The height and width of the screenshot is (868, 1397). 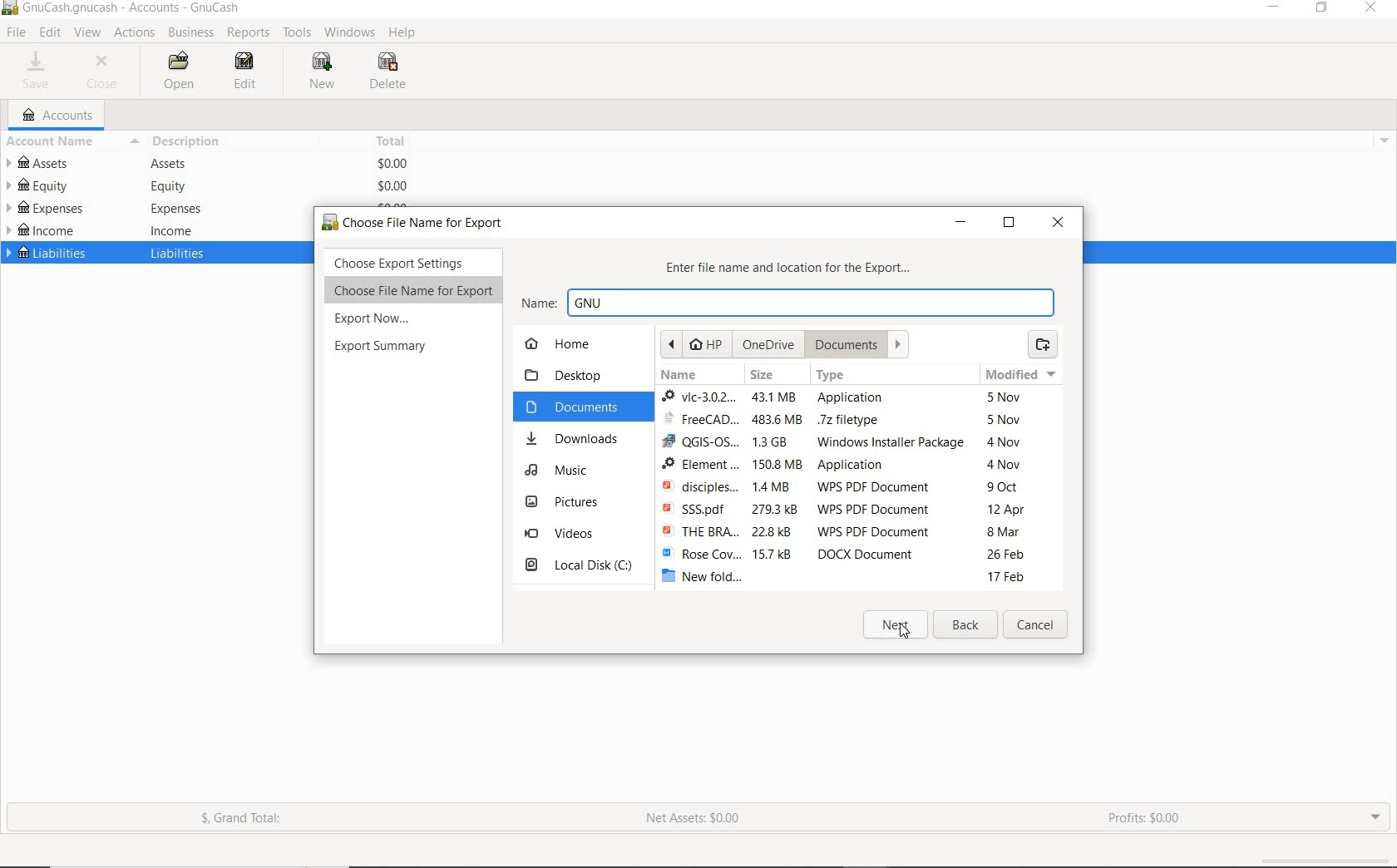 I want to click on SYSTEM NAME, so click(x=126, y=9).